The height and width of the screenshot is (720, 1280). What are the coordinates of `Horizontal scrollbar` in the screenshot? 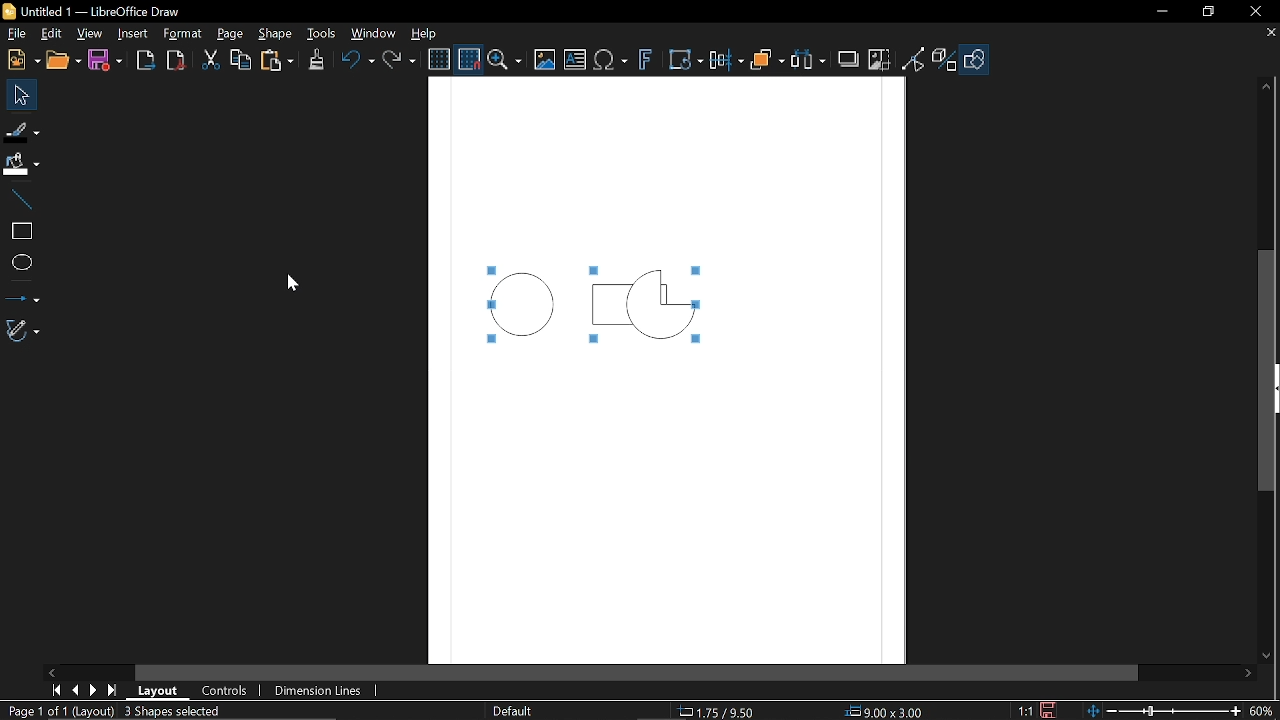 It's located at (638, 672).